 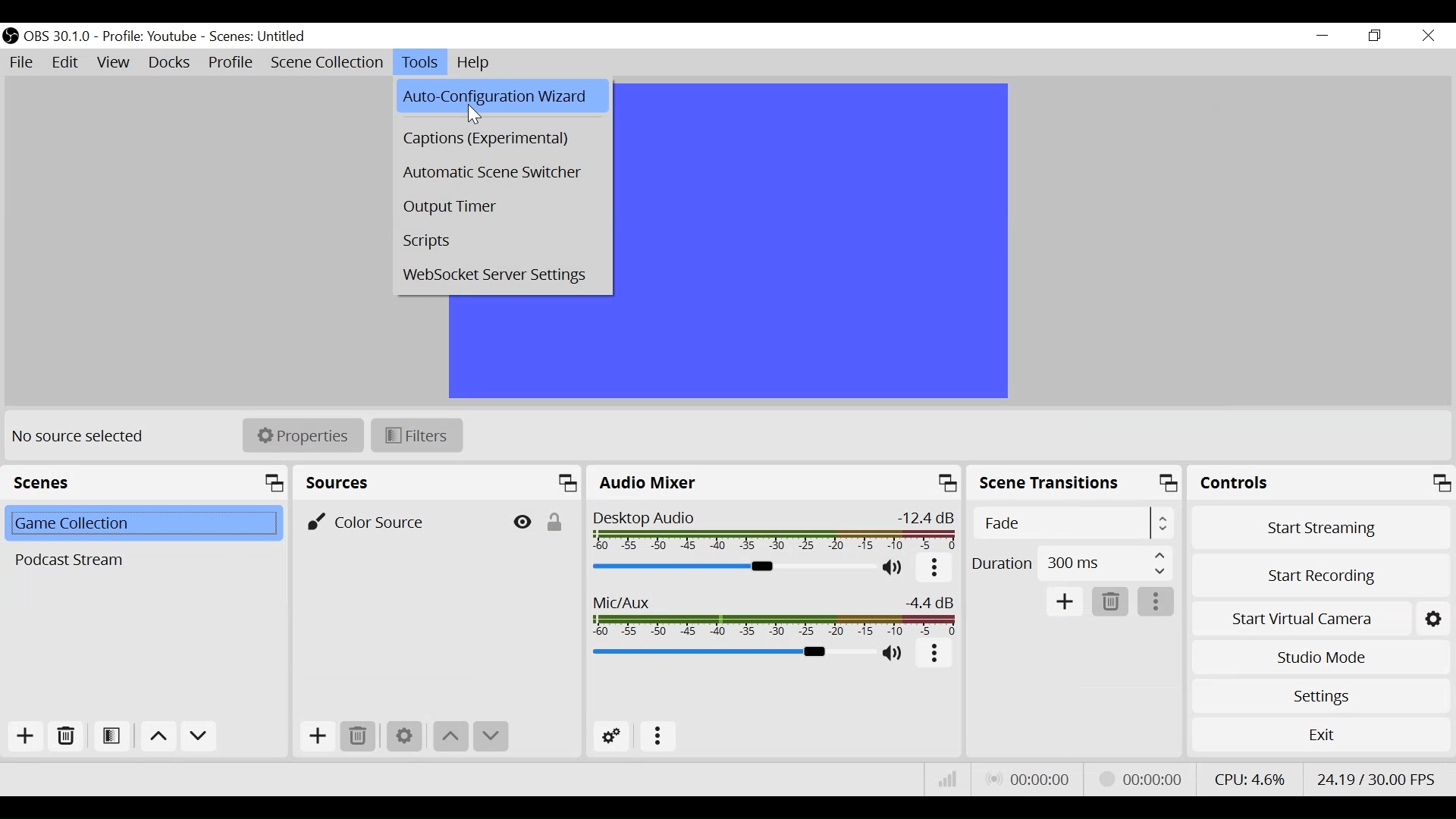 I want to click on Sources, so click(x=439, y=482).